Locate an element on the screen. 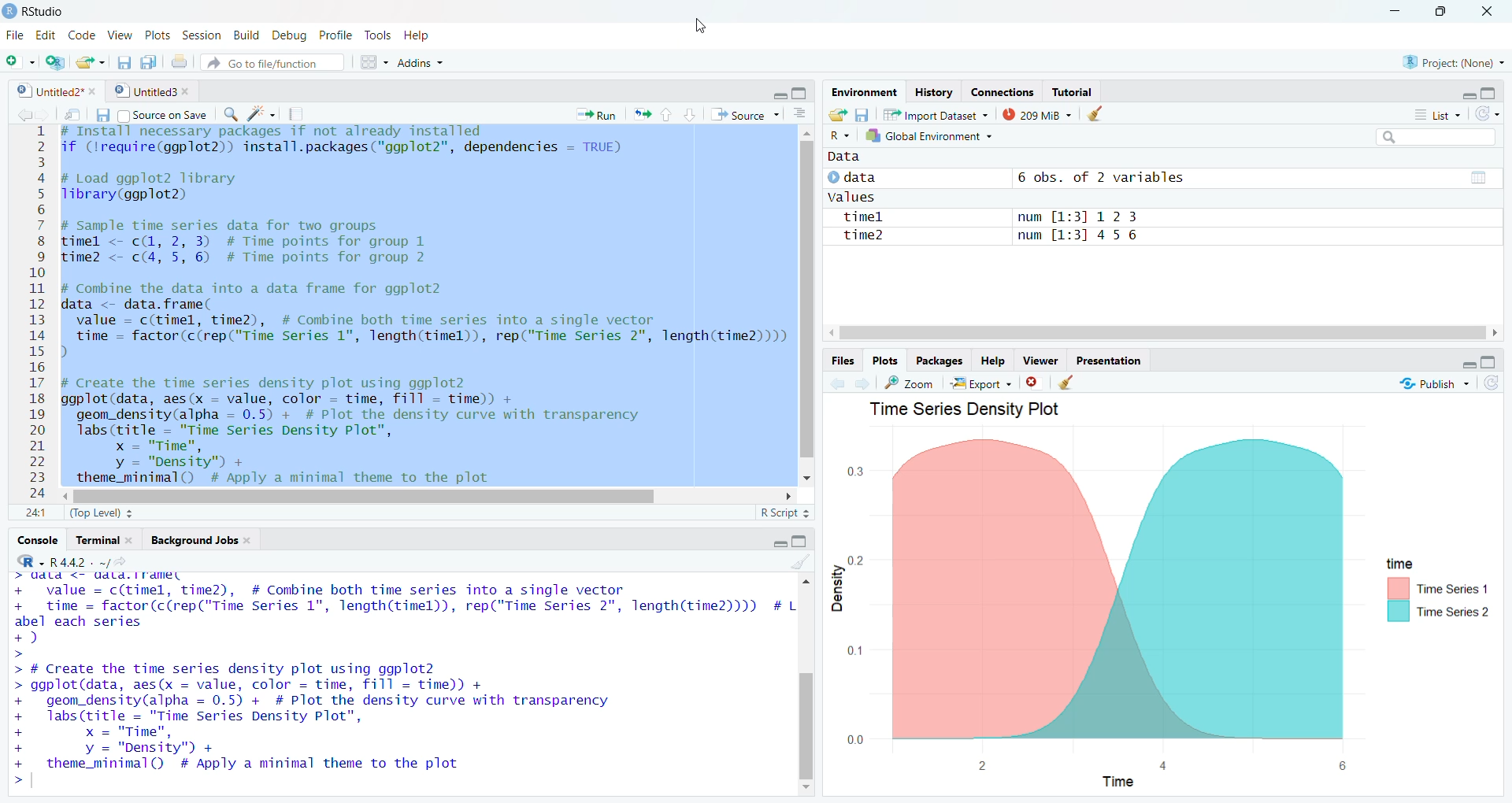 The image size is (1512, 803). Maximize is located at coordinates (802, 94).